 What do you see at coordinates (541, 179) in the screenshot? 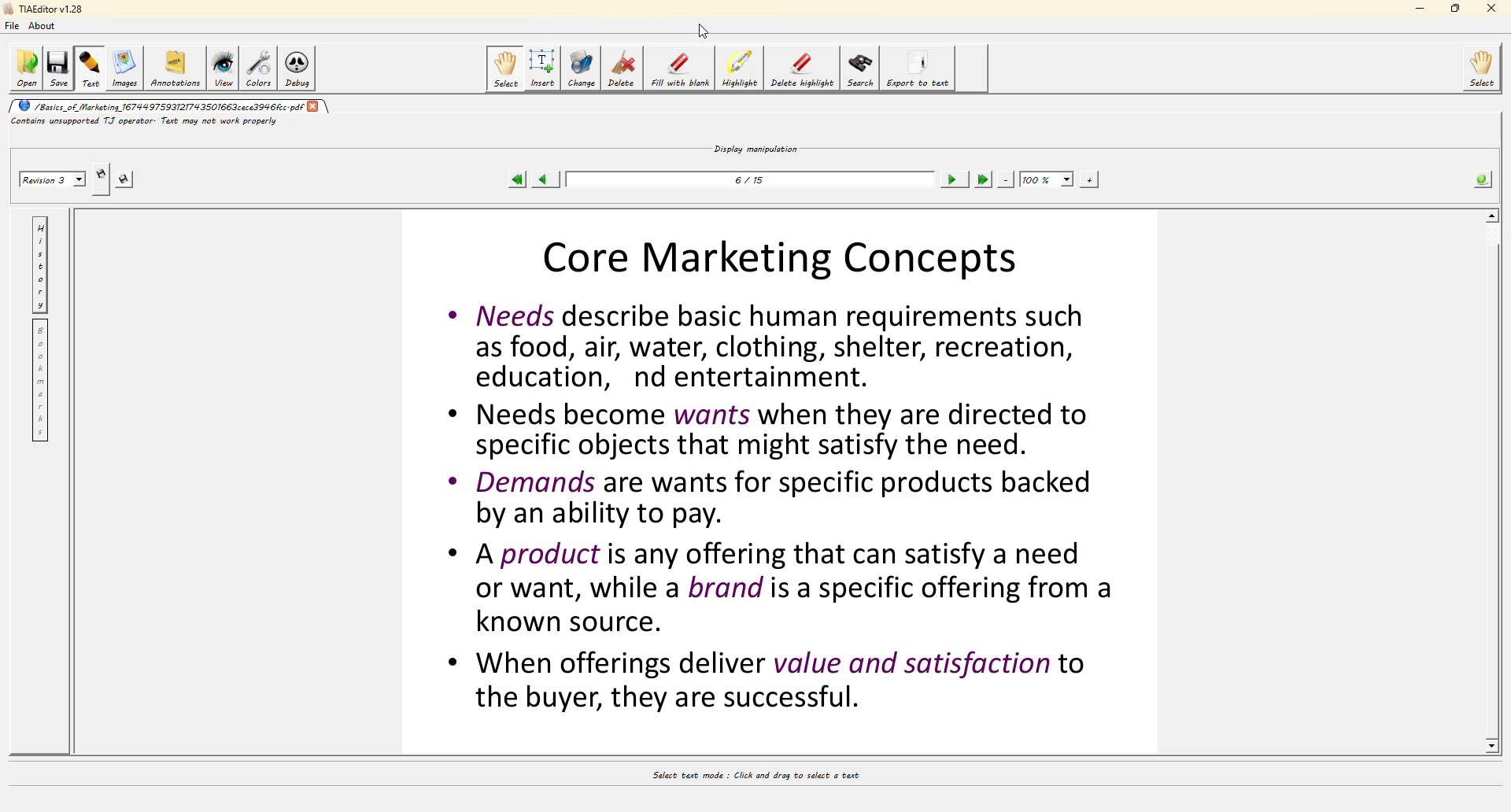
I see `previous page` at bounding box center [541, 179].